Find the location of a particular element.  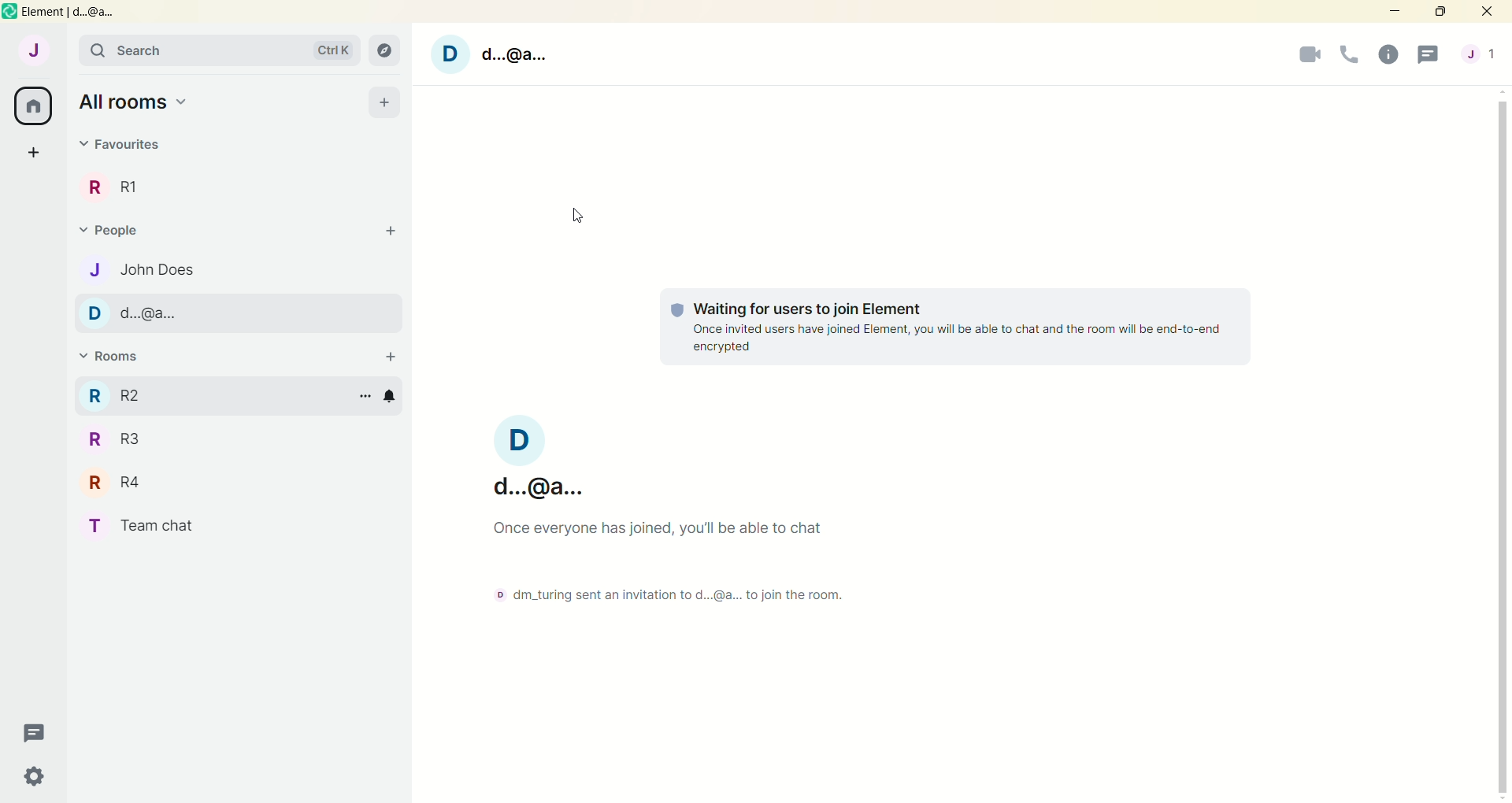

More Options is located at coordinates (363, 398).